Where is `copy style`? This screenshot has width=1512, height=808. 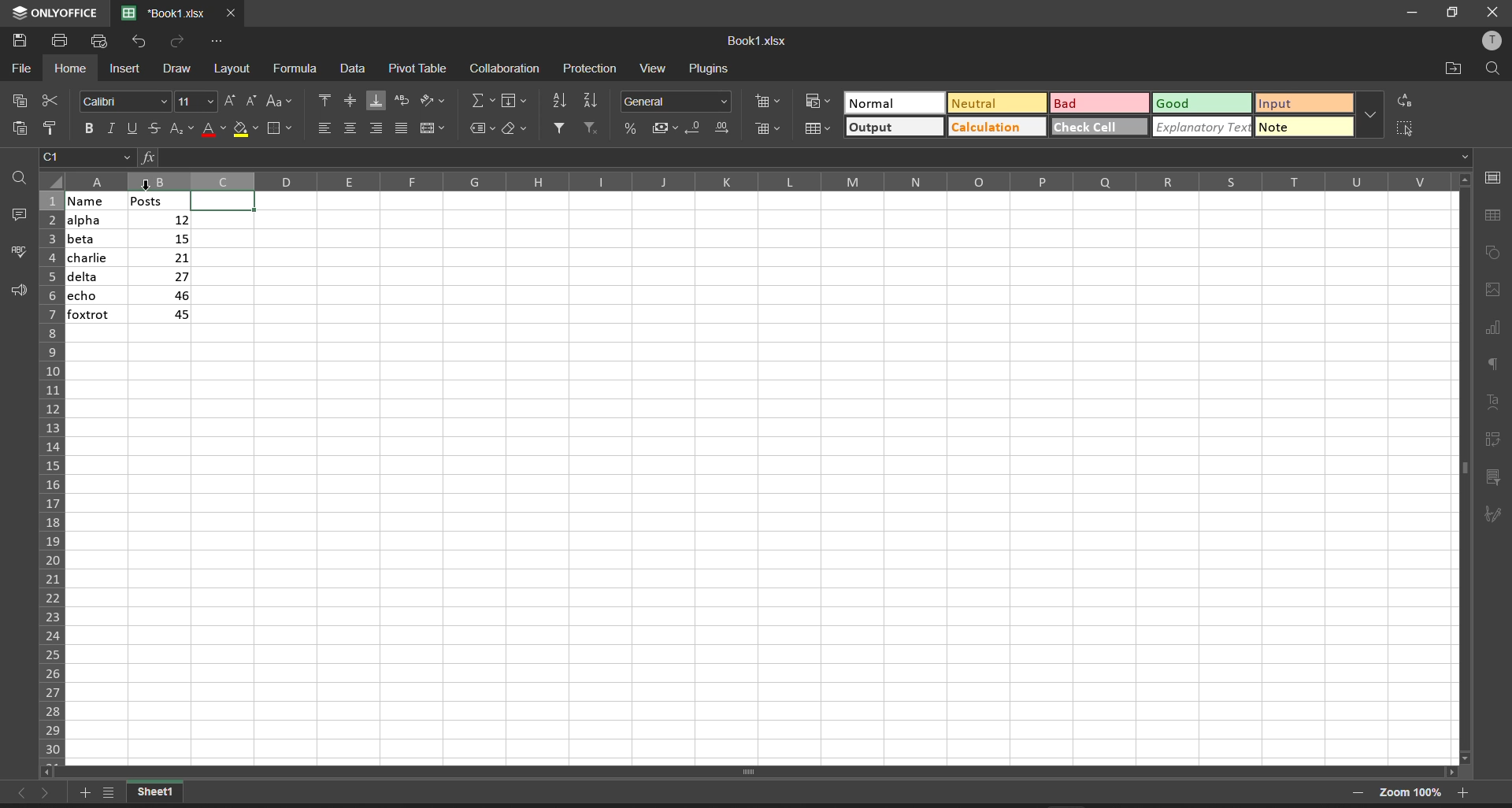
copy style is located at coordinates (52, 128).